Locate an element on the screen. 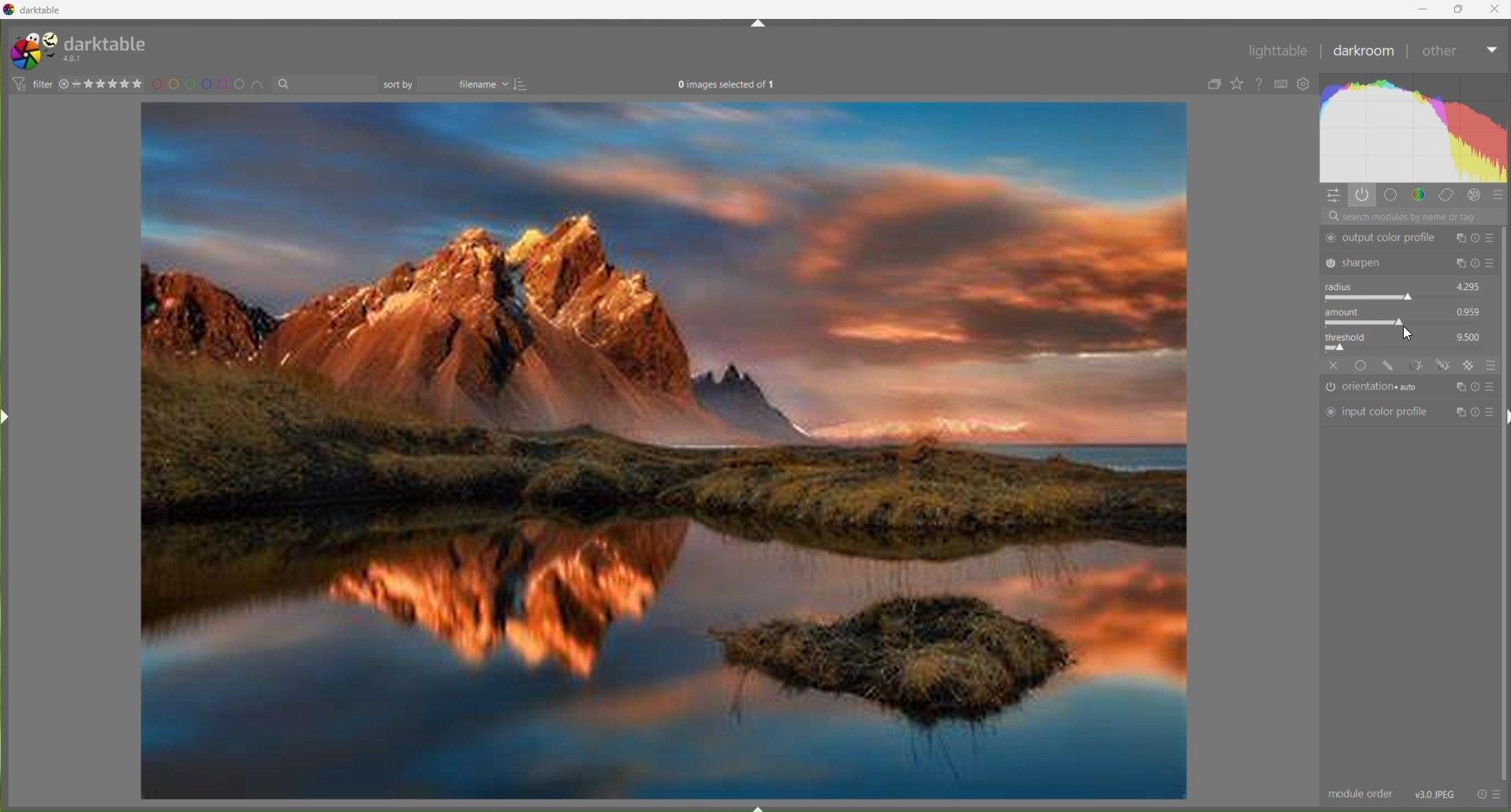 The height and width of the screenshot is (812, 1511). close is located at coordinates (1495, 8).